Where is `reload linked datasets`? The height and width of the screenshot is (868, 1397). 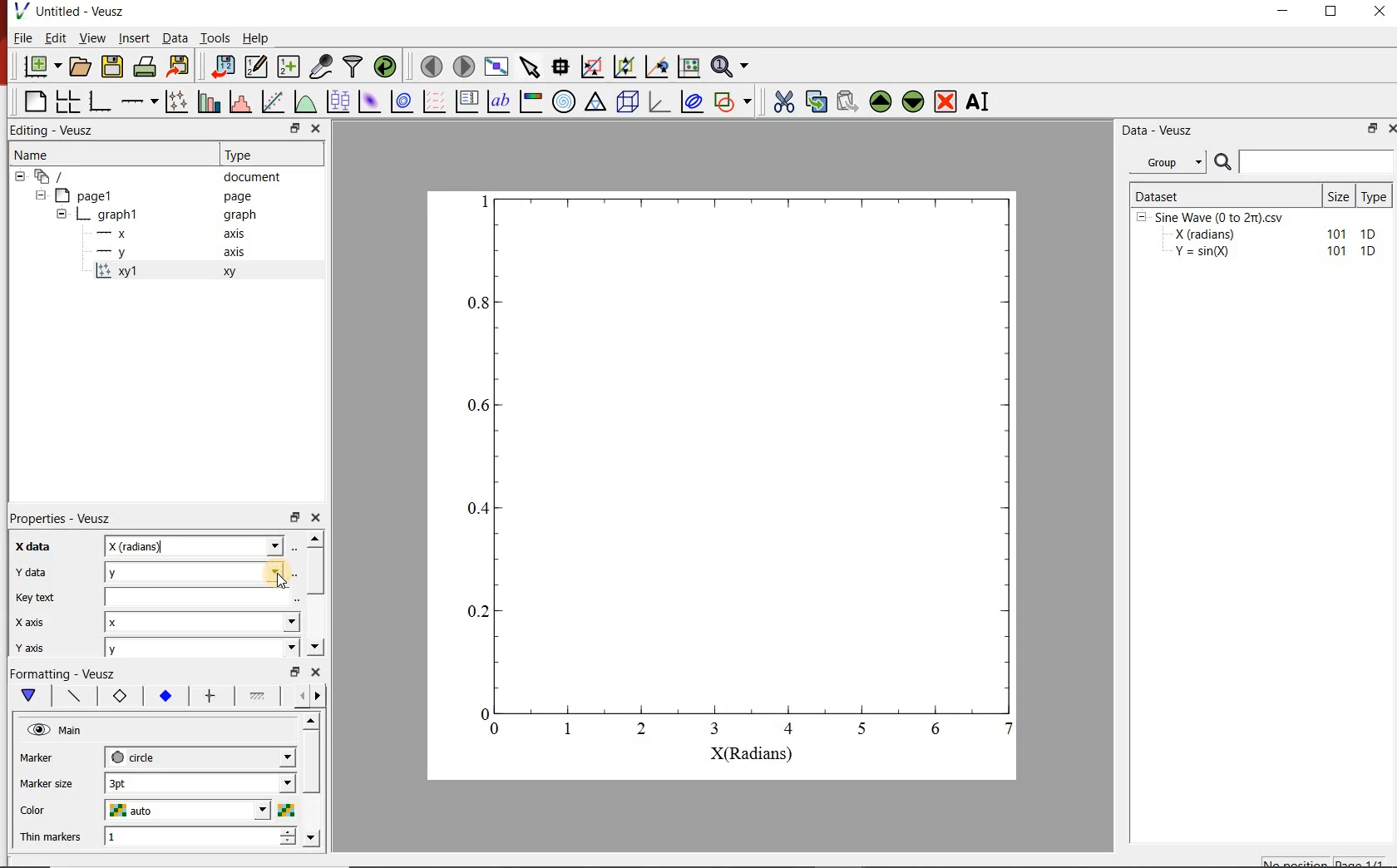 reload linked datasets is located at coordinates (388, 67).